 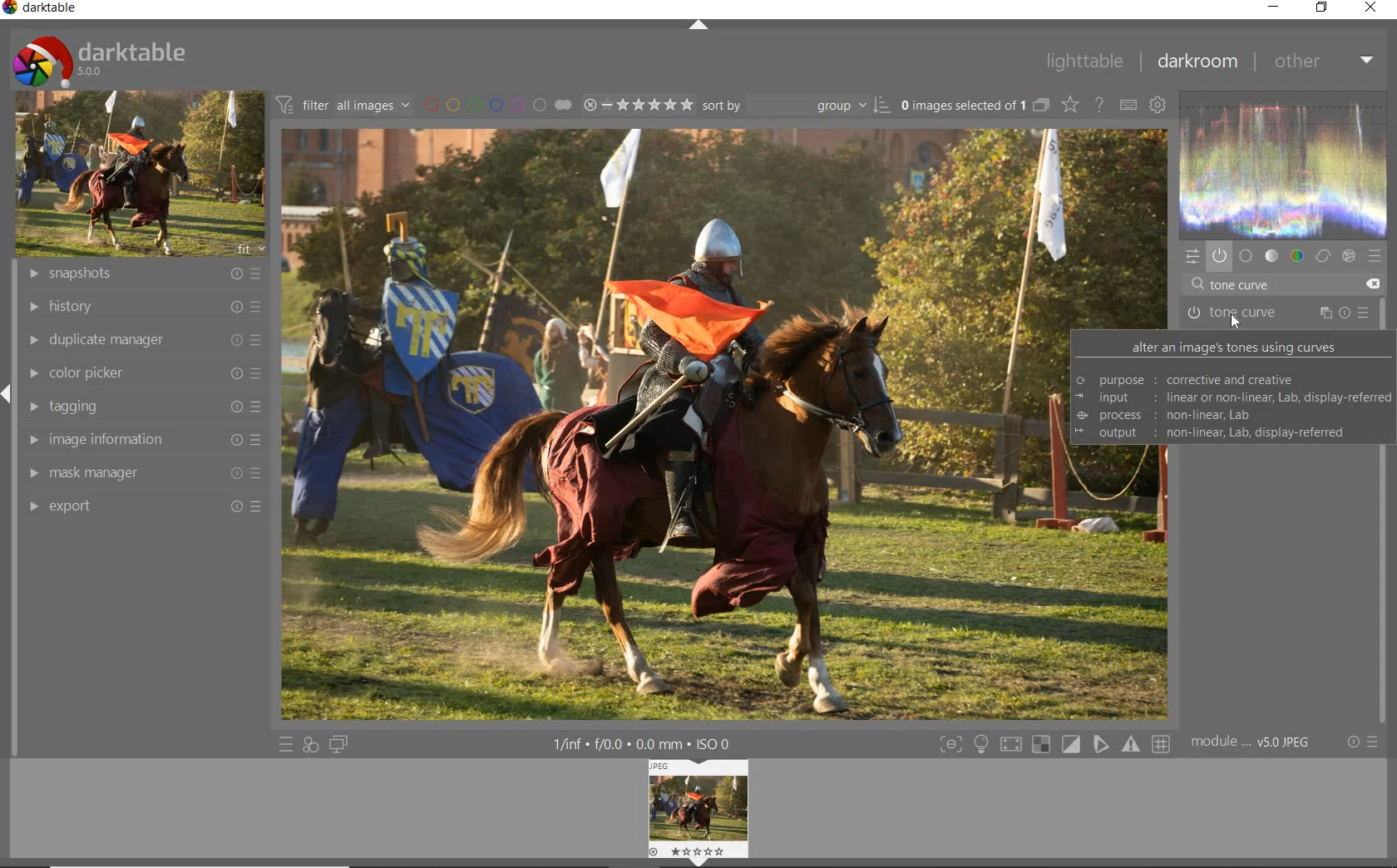 I want to click on effect, so click(x=1347, y=256).